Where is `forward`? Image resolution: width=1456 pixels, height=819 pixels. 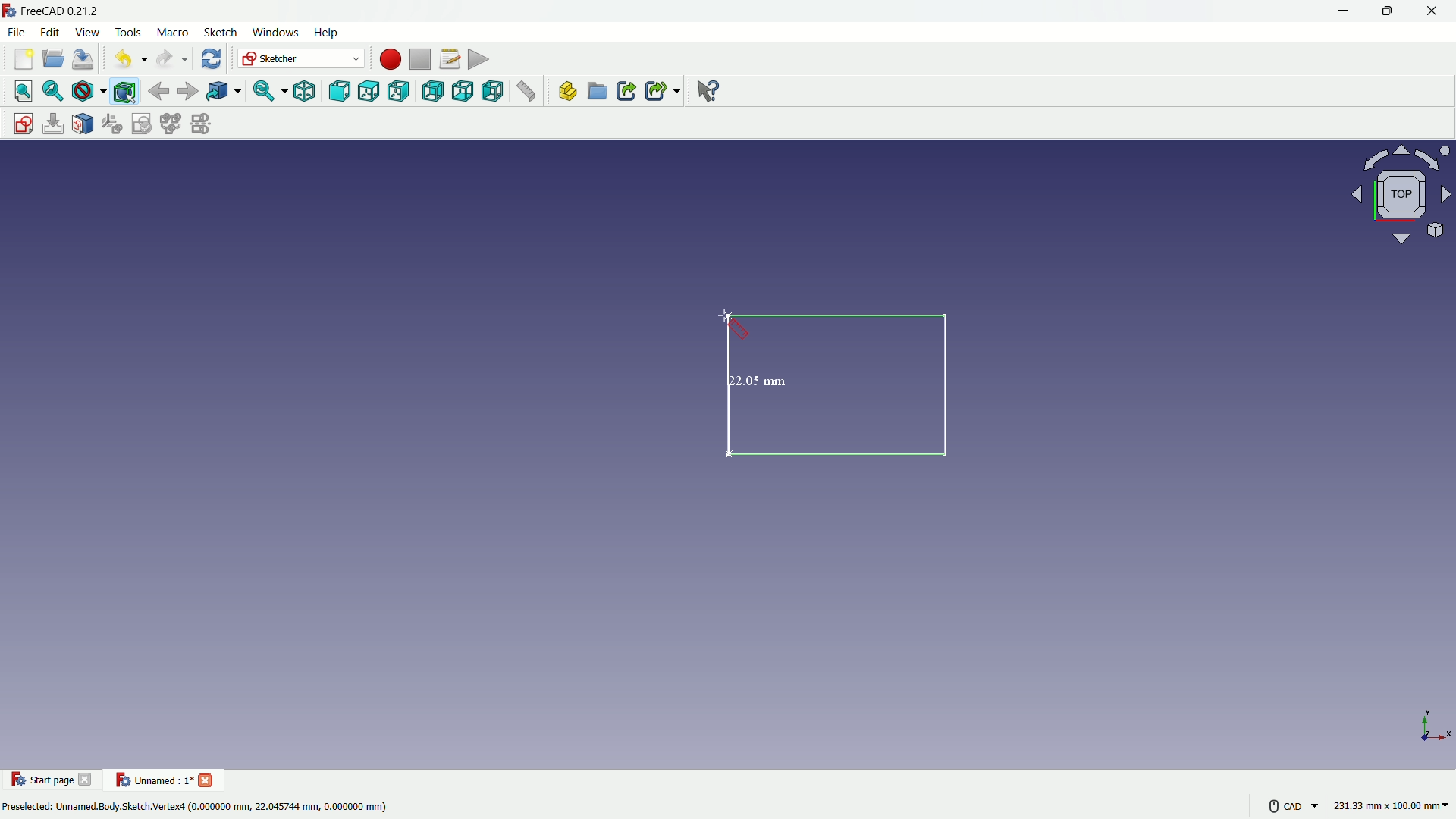
forward is located at coordinates (187, 91).